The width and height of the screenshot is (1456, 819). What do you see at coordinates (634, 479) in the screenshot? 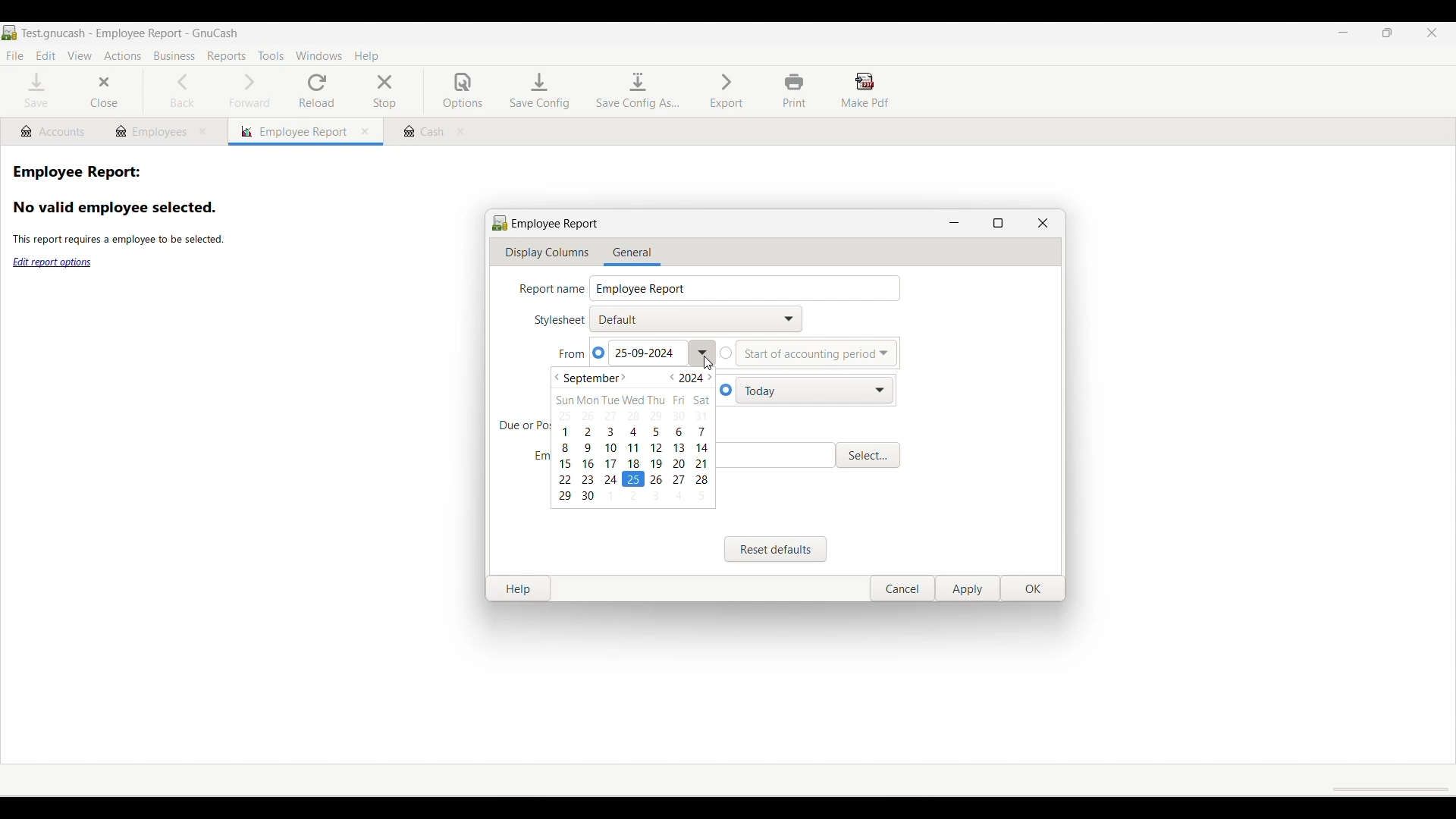
I see `Required start date selected` at bounding box center [634, 479].